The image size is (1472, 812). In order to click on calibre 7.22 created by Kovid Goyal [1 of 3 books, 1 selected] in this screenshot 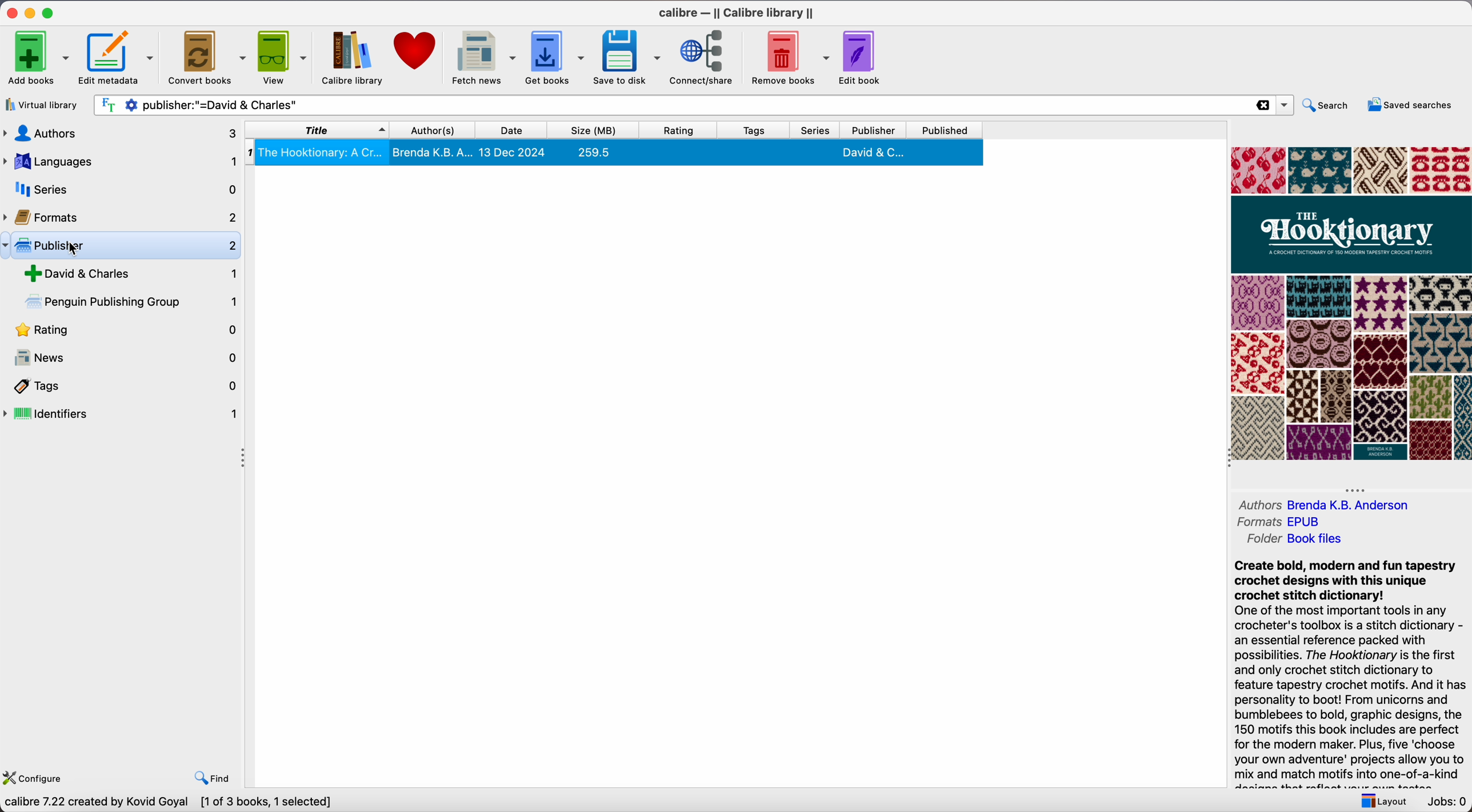, I will do `click(173, 802)`.